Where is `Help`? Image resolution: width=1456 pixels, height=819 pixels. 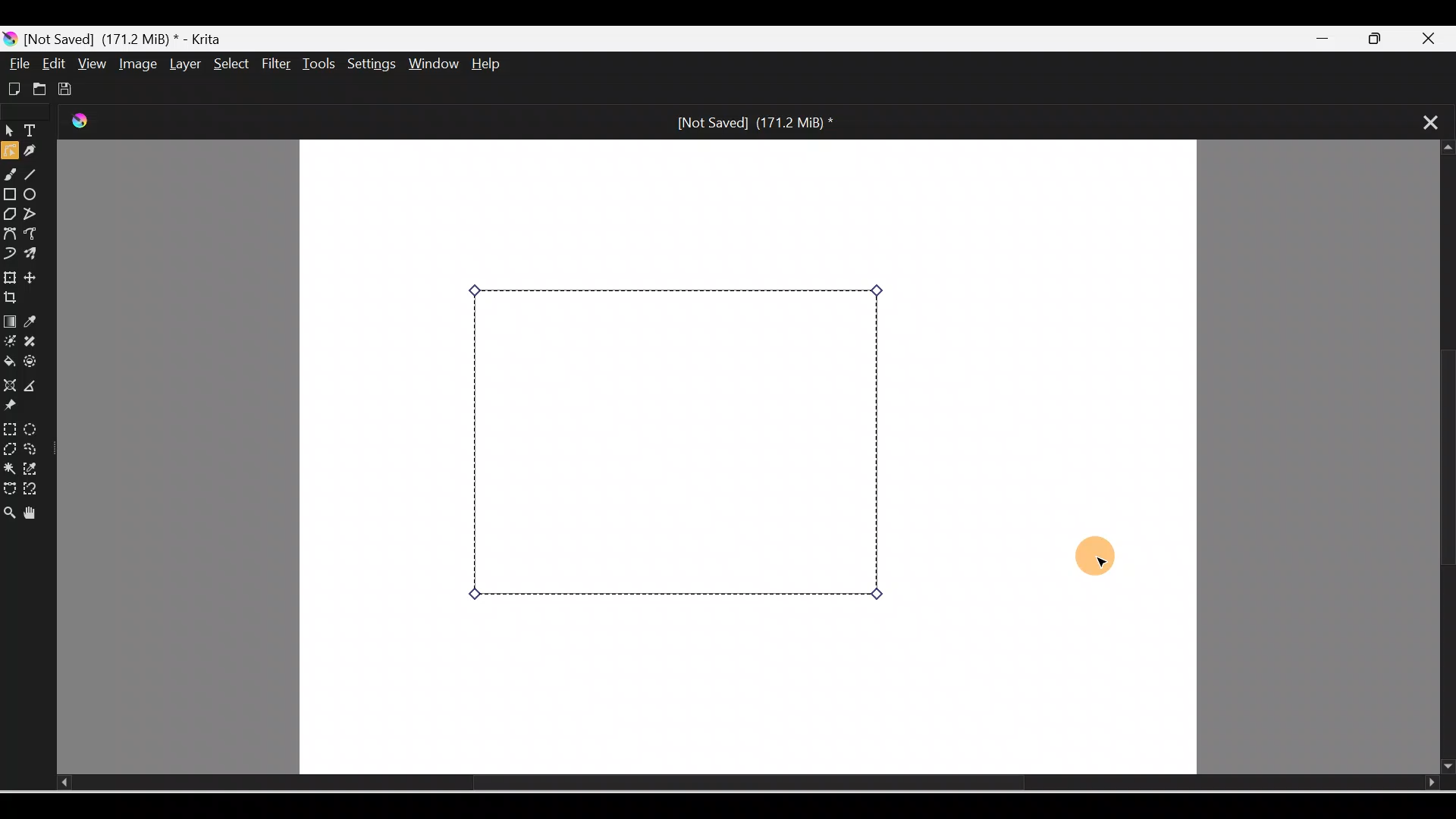
Help is located at coordinates (499, 65).